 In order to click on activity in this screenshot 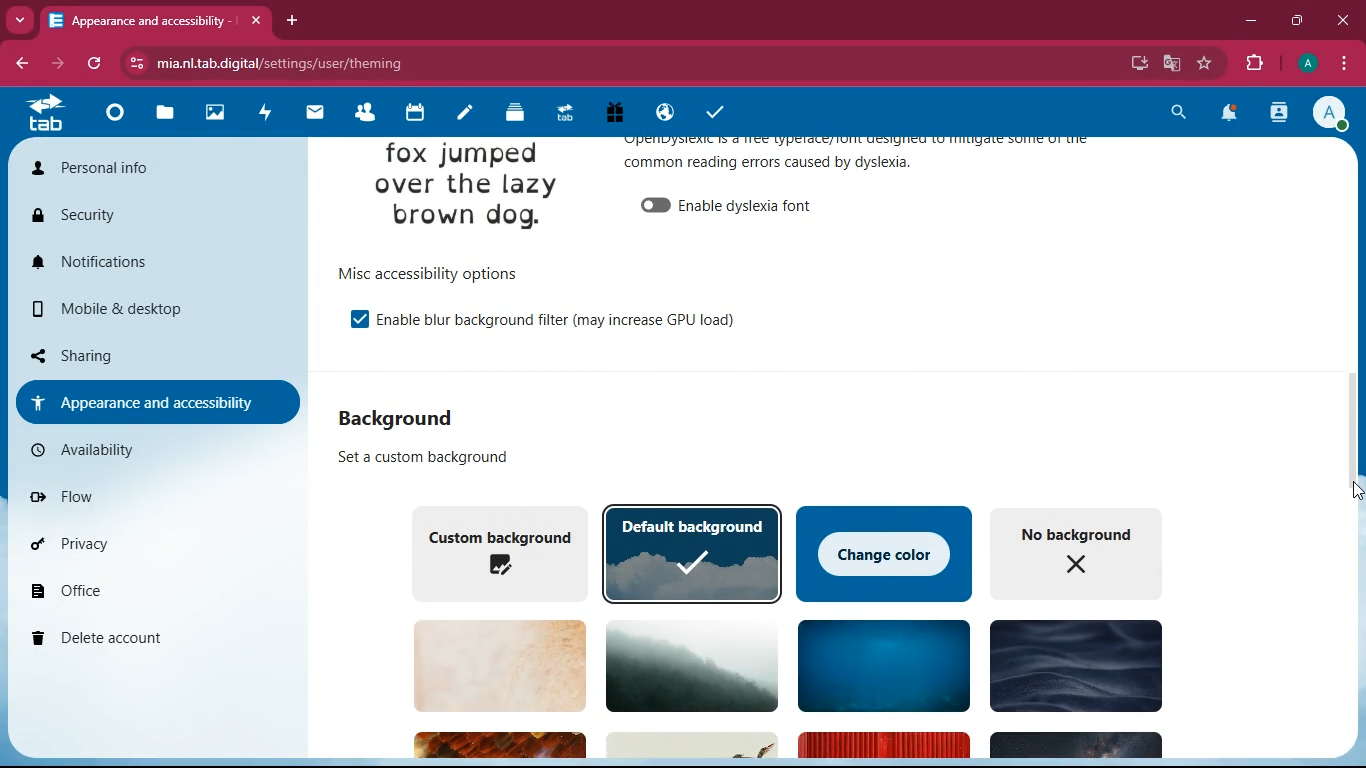, I will do `click(1280, 115)`.